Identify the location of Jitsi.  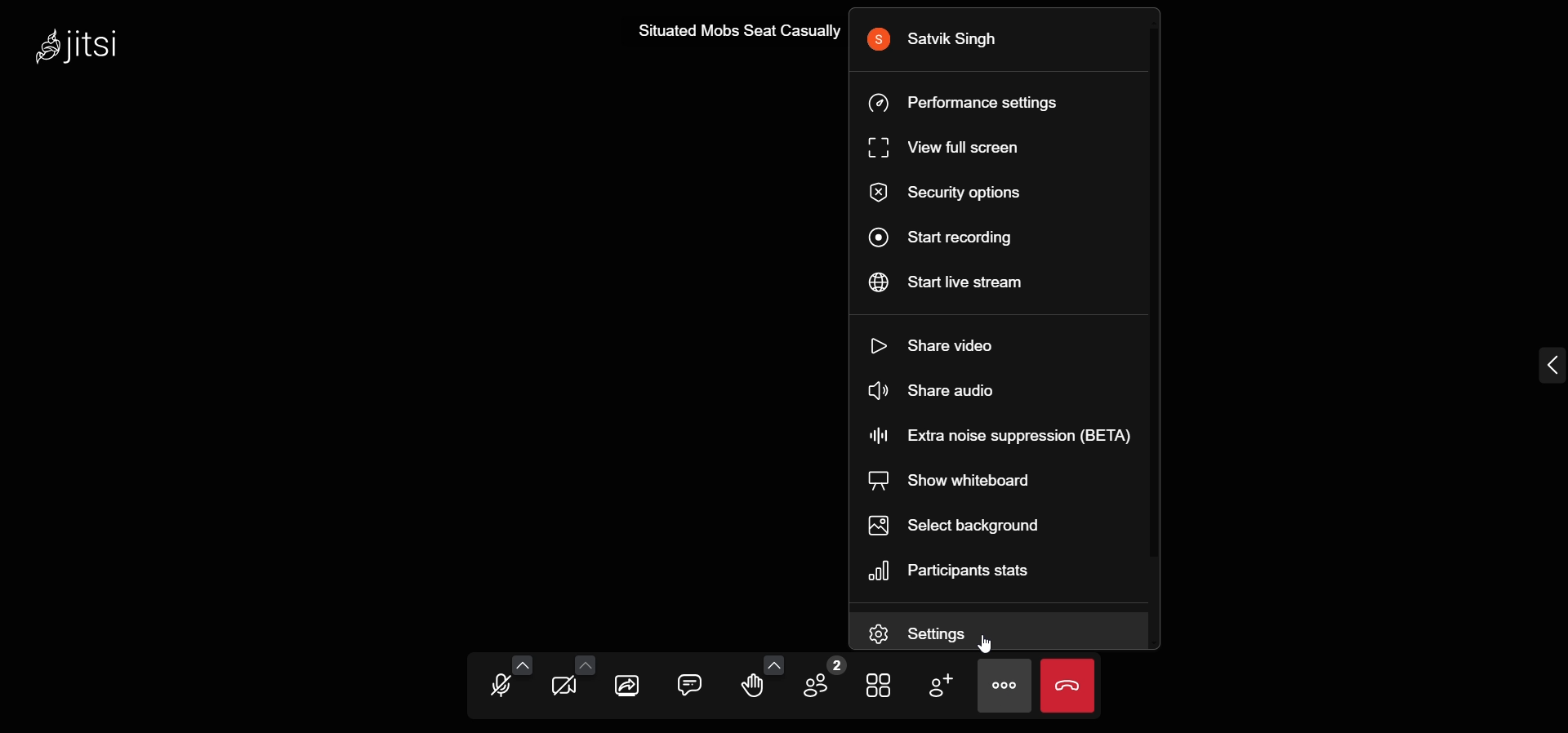
(84, 45).